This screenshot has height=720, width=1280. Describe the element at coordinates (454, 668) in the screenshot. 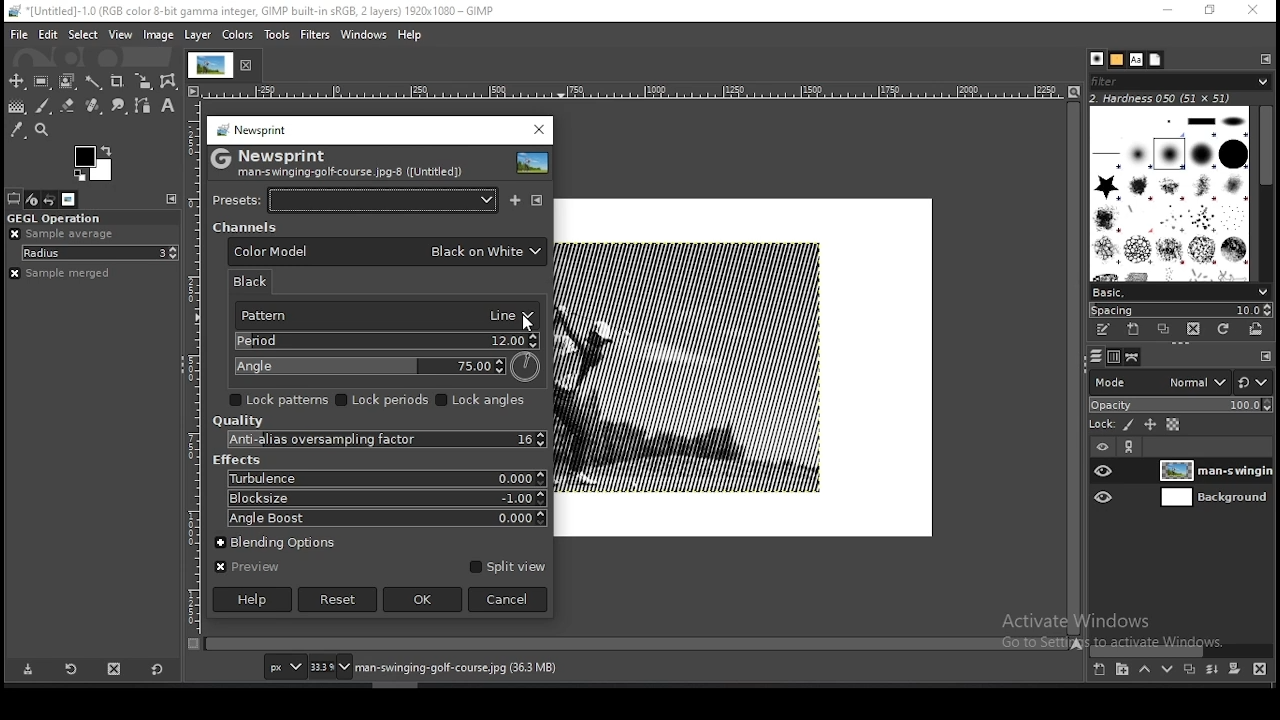

I see `man-swinging-golf-course.jpg (36.3 MB)` at that location.